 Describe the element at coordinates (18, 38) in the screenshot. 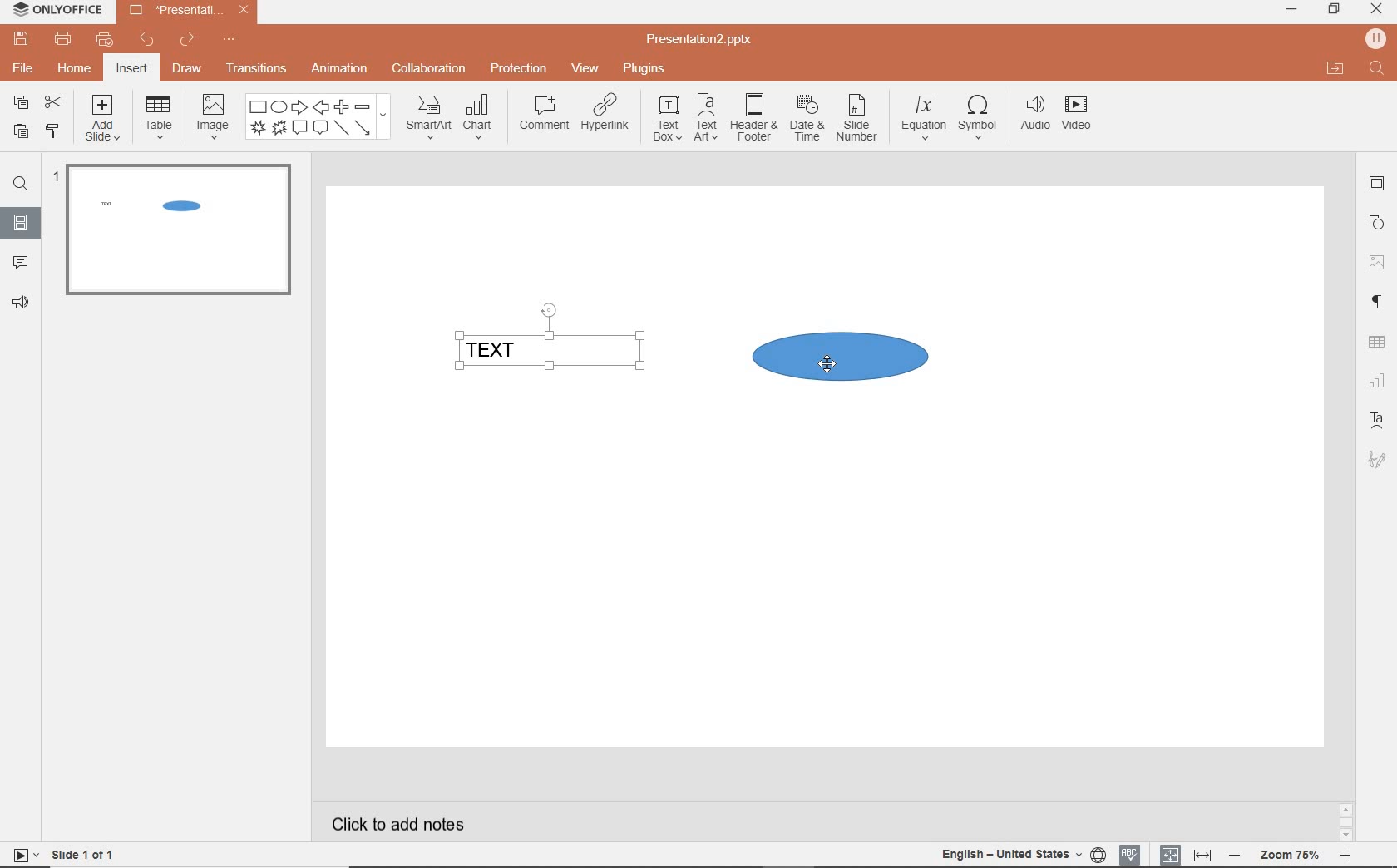

I see `save` at that location.